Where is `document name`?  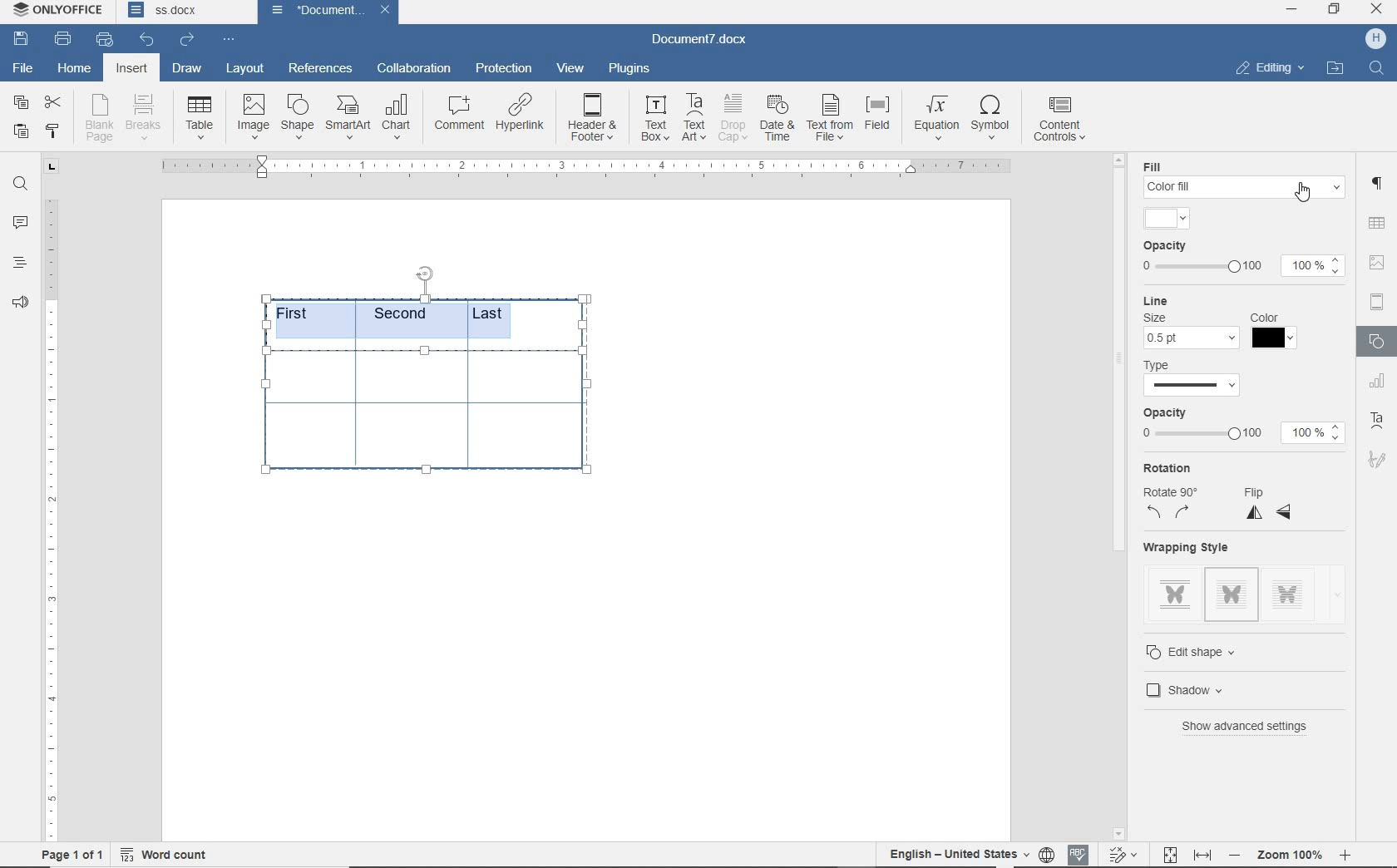
document name is located at coordinates (706, 37).